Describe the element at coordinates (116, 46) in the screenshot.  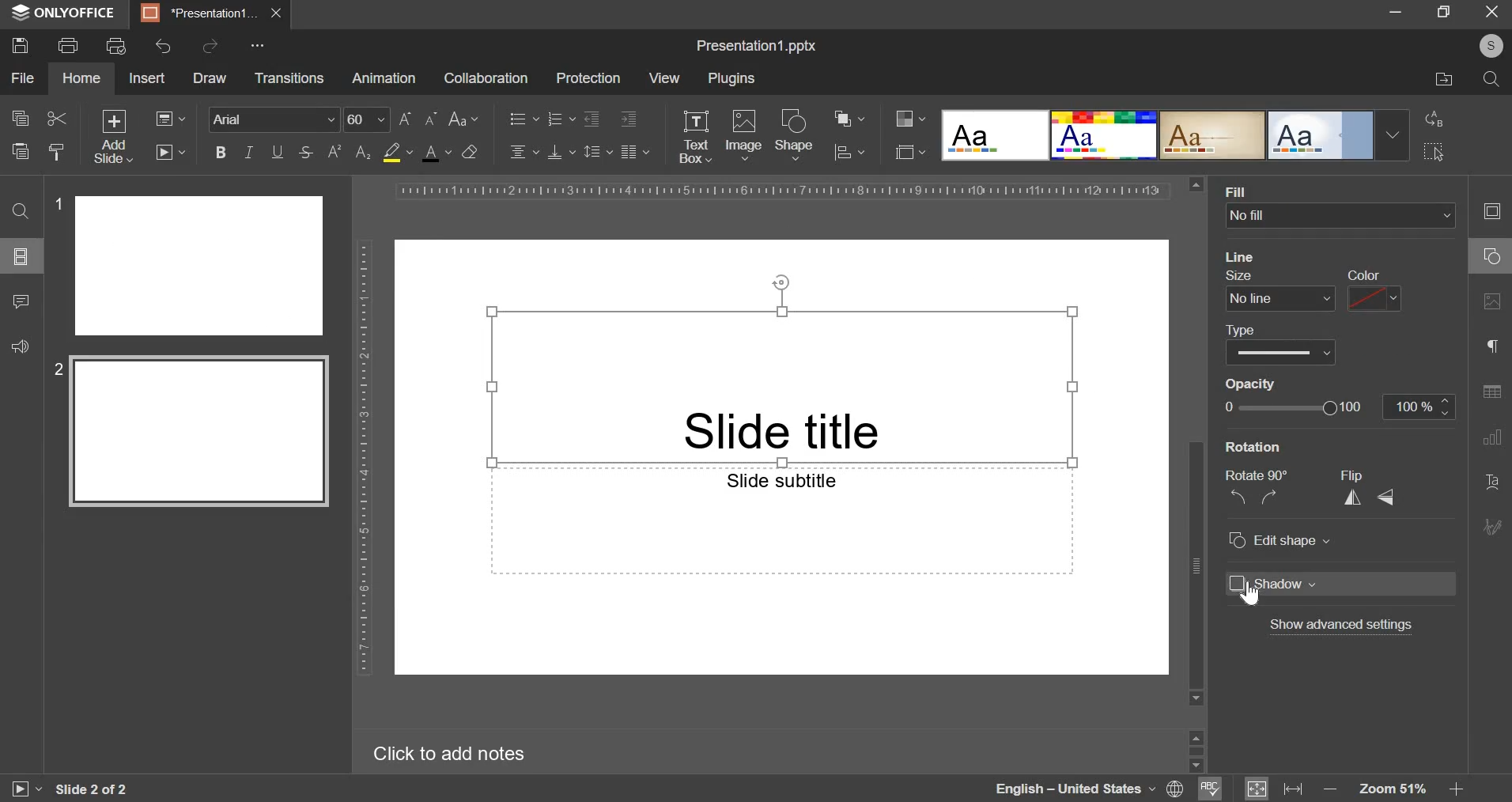
I see `print preview` at that location.